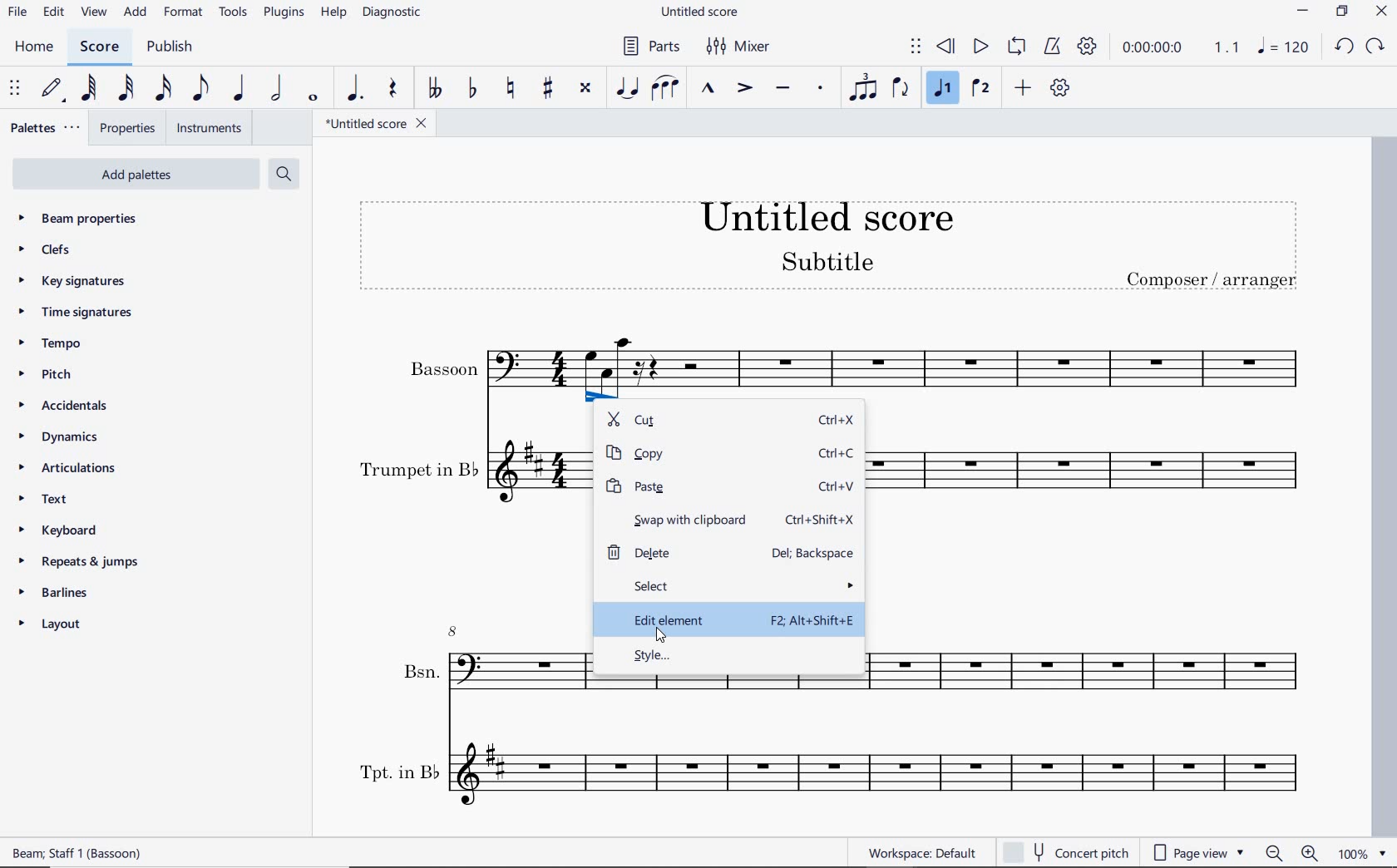 The height and width of the screenshot is (868, 1397). What do you see at coordinates (916, 46) in the screenshot?
I see `select to move` at bounding box center [916, 46].